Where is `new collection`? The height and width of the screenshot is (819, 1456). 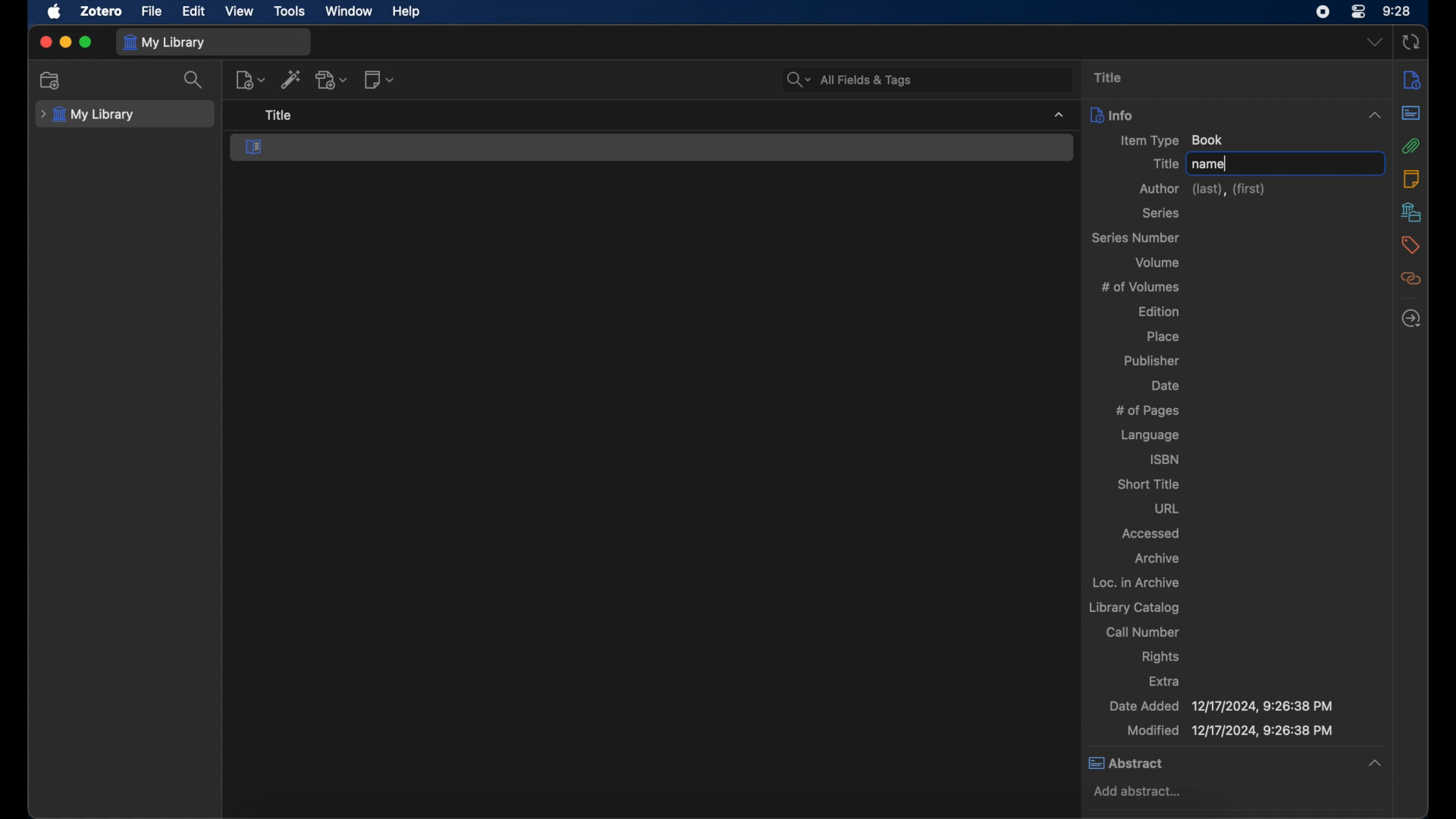 new collection is located at coordinates (49, 80).